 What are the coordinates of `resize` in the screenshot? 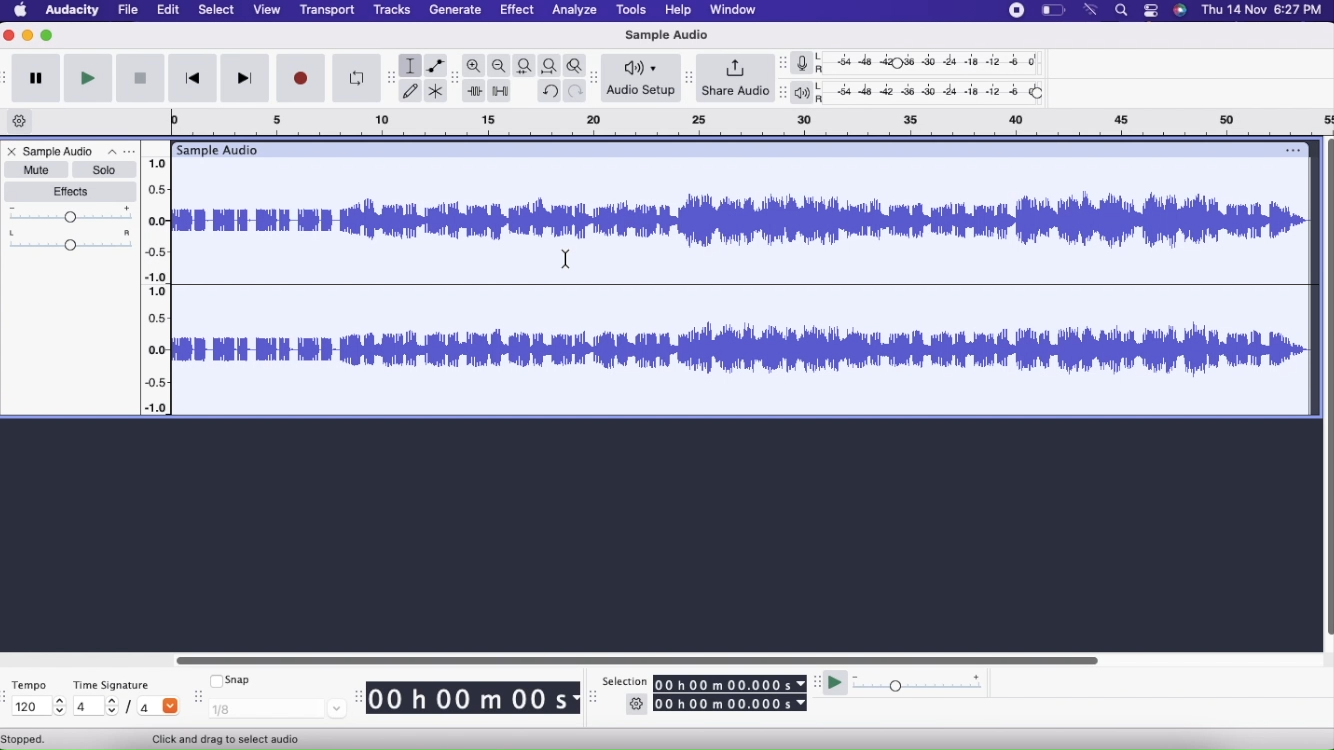 It's located at (689, 77).